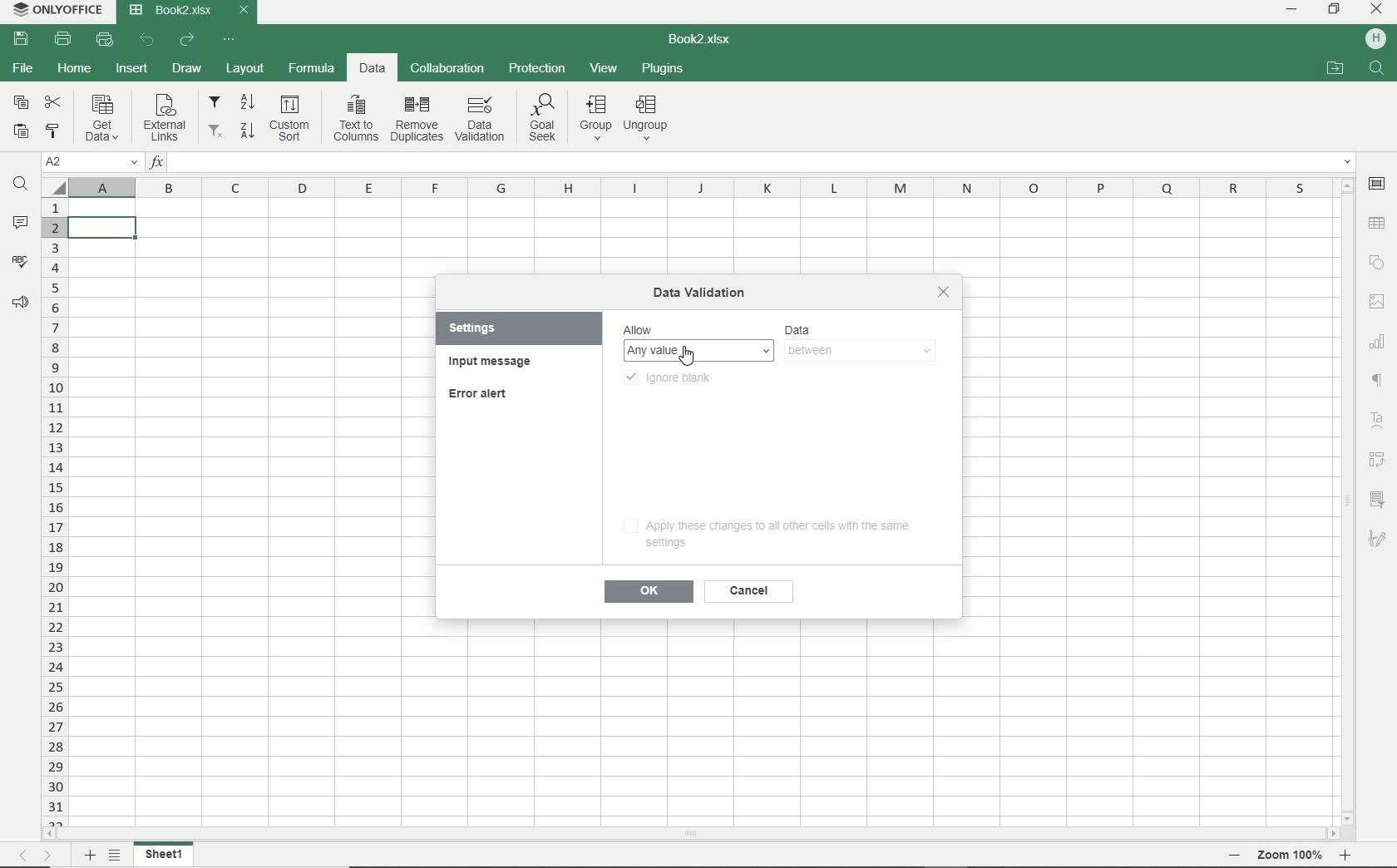 The height and width of the screenshot is (868, 1397). What do you see at coordinates (292, 118) in the screenshot?
I see `custom sort` at bounding box center [292, 118].